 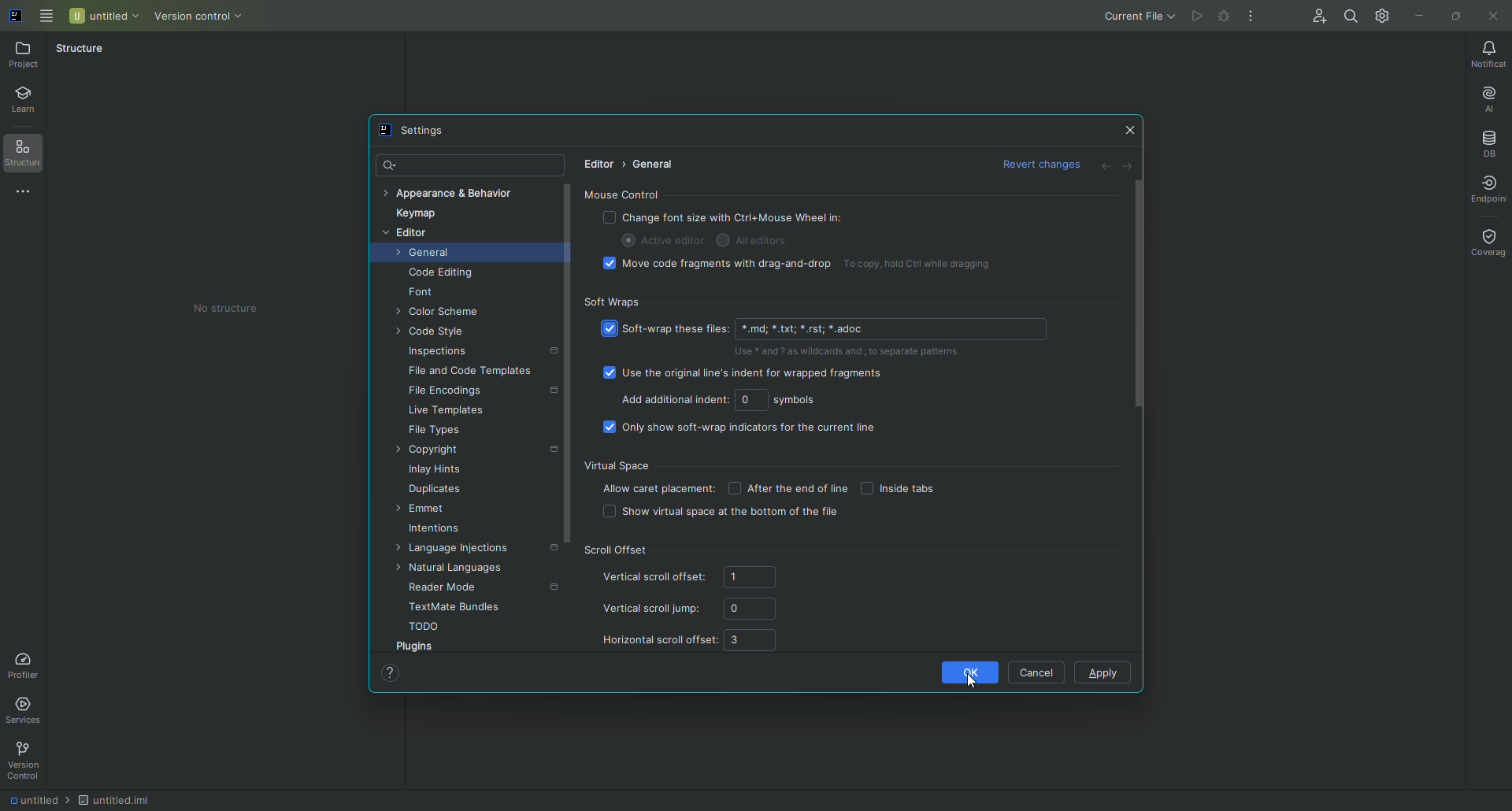 I want to click on Mouse Control, so click(x=817, y=232).